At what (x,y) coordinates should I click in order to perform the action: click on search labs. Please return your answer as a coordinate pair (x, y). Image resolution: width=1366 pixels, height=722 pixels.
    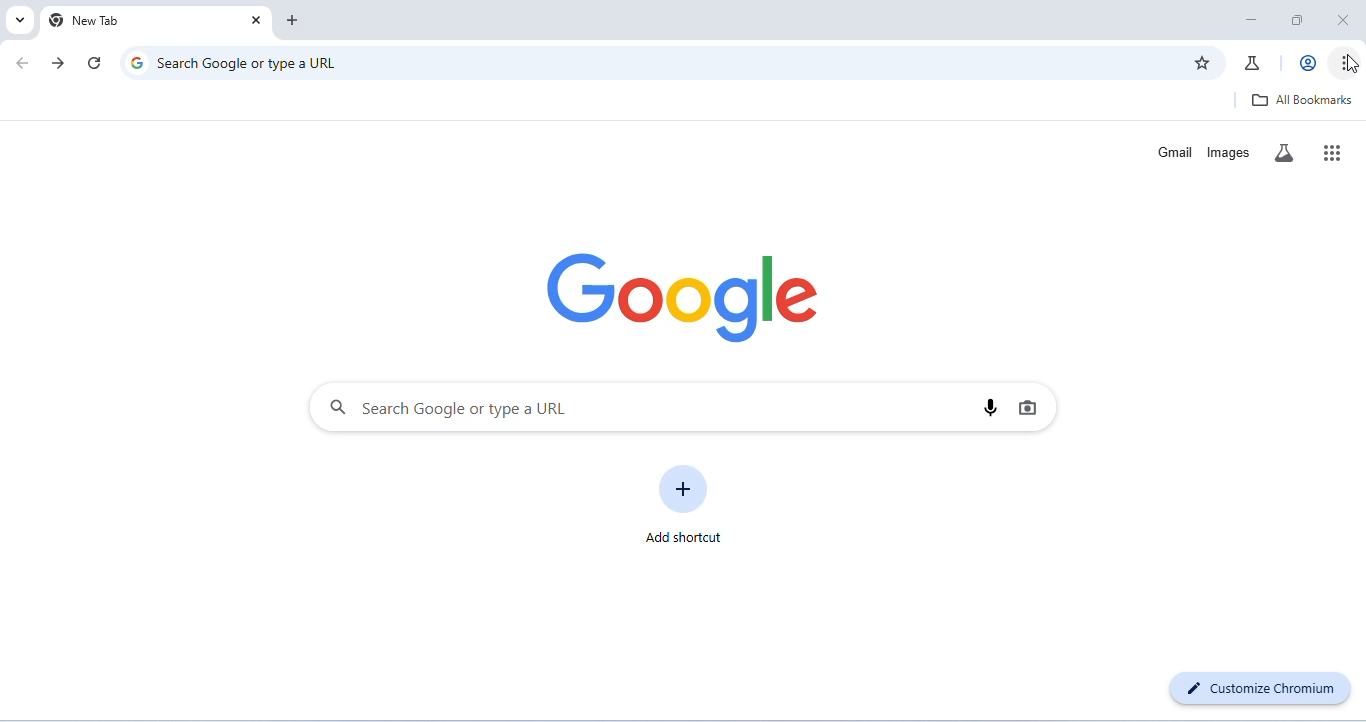
    Looking at the image, I should click on (1285, 153).